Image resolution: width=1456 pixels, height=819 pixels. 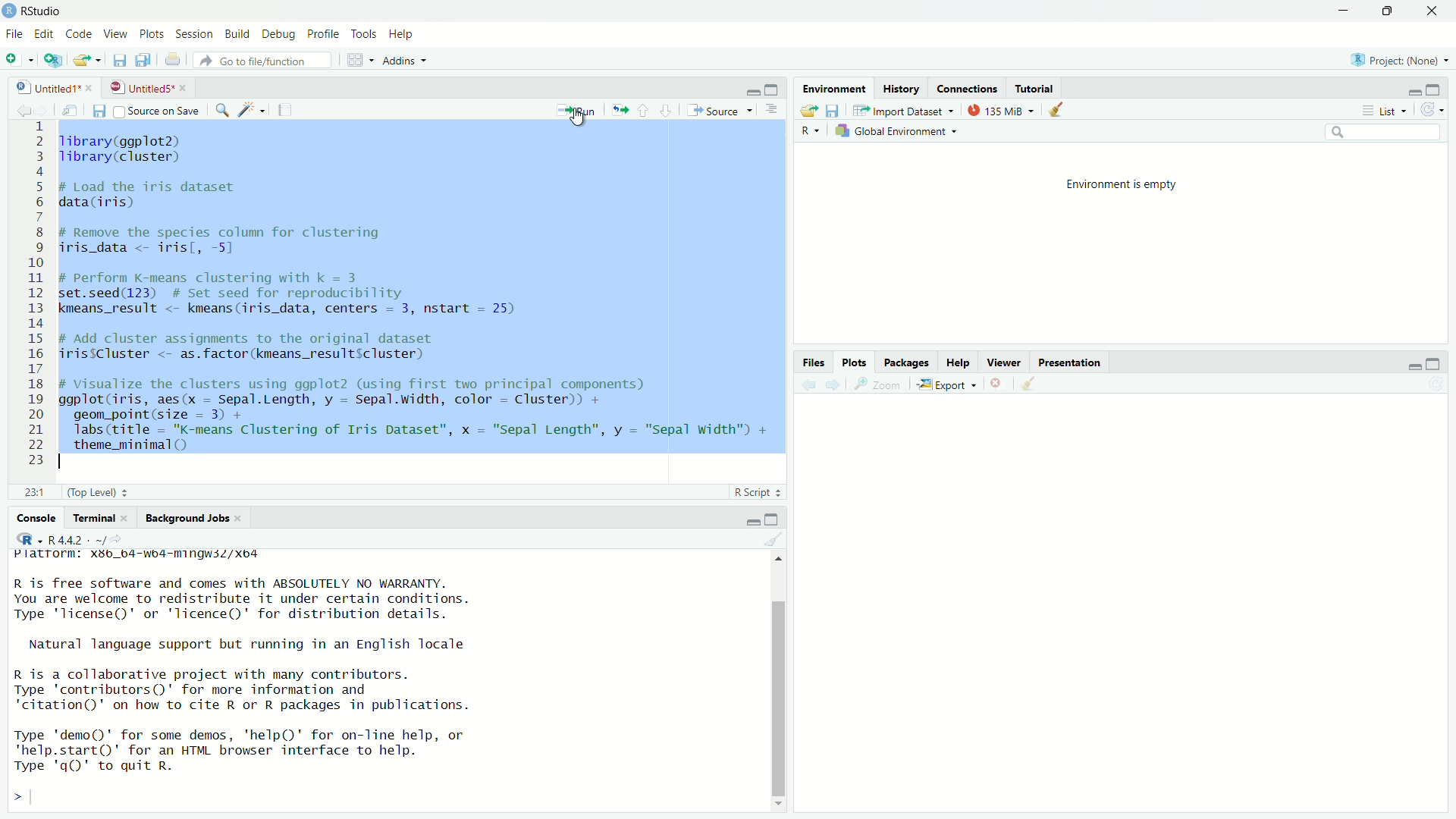 I want to click on minimize, so click(x=1339, y=10).